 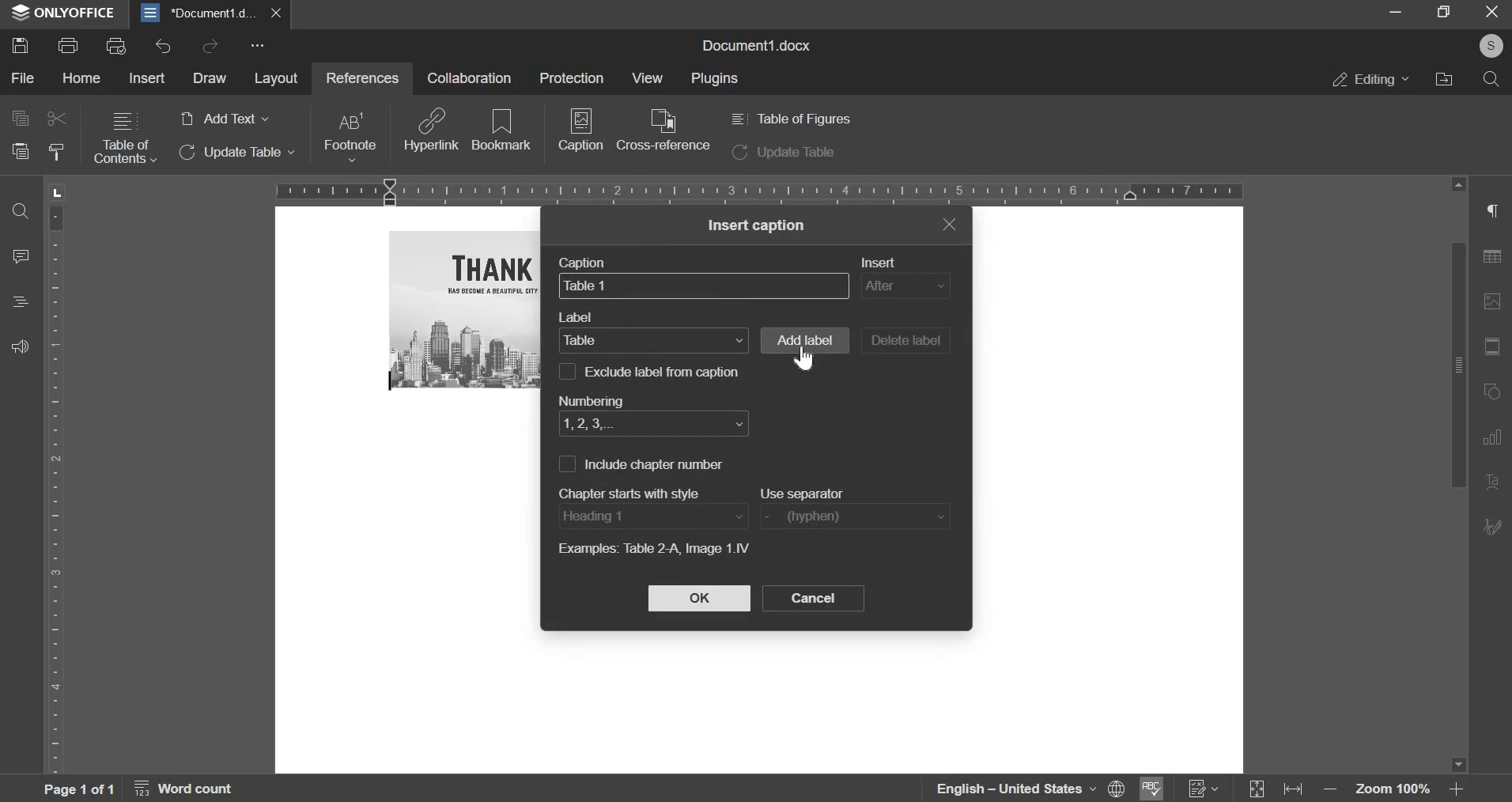 I want to click on insert caption, so click(x=758, y=225).